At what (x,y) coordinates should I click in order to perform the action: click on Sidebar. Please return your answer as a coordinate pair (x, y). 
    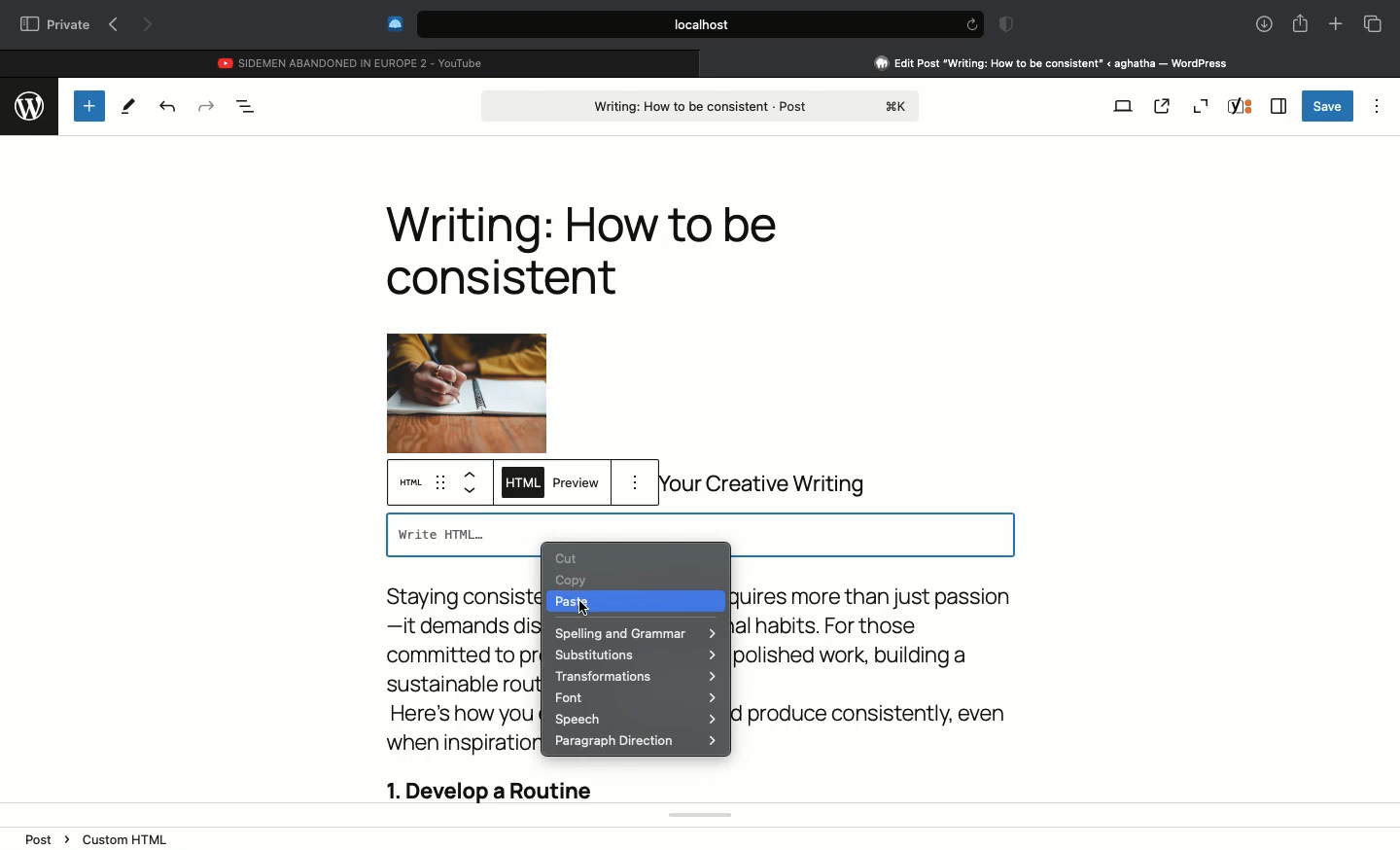
    Looking at the image, I should click on (1278, 106).